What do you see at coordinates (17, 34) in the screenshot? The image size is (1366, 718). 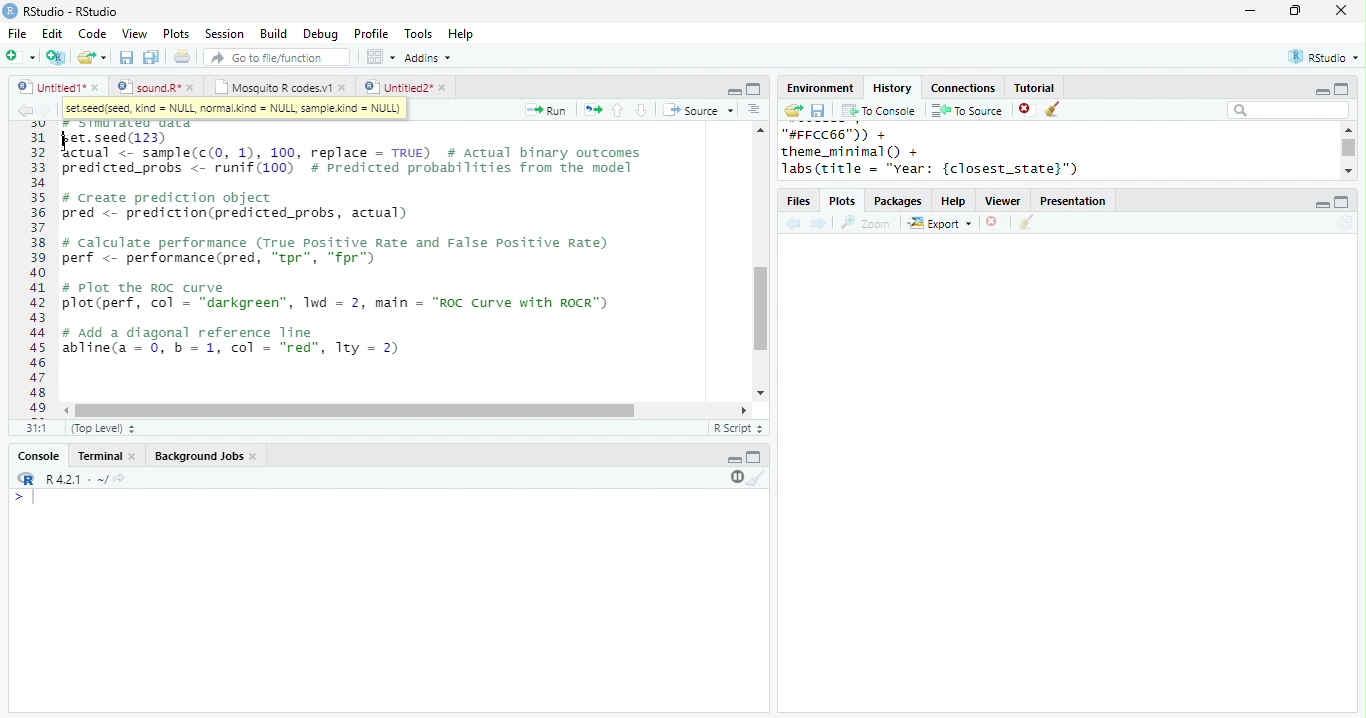 I see `File` at bounding box center [17, 34].